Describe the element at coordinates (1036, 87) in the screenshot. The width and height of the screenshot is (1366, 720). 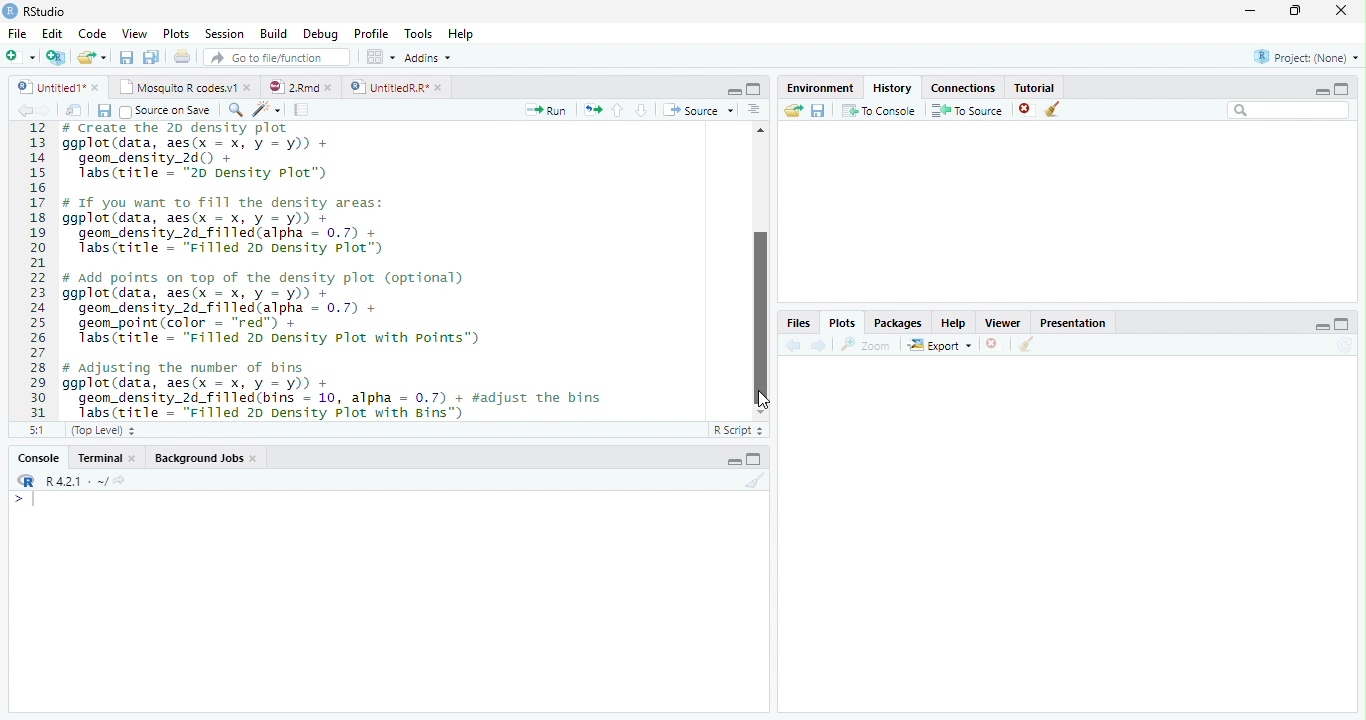
I see `Tutorial` at that location.